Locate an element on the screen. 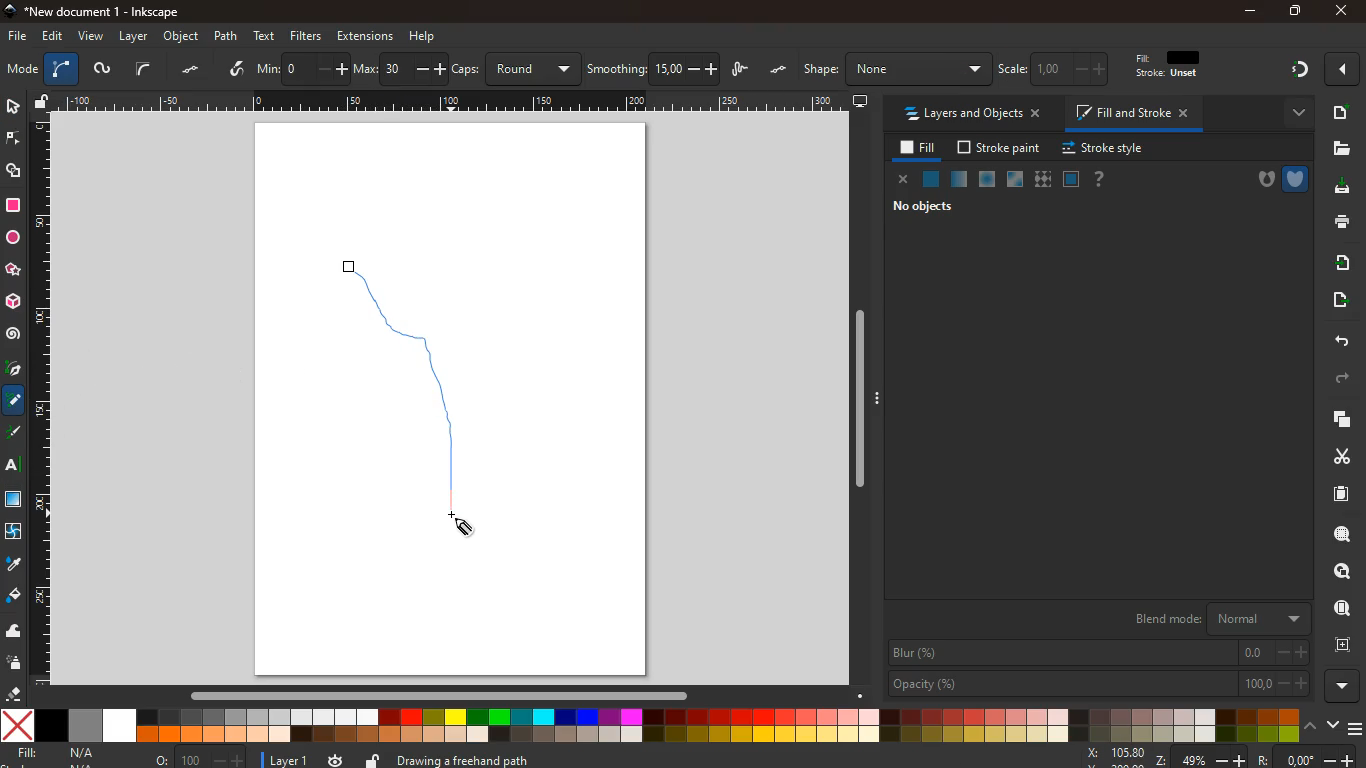  zoom is located at coordinates (201, 756).